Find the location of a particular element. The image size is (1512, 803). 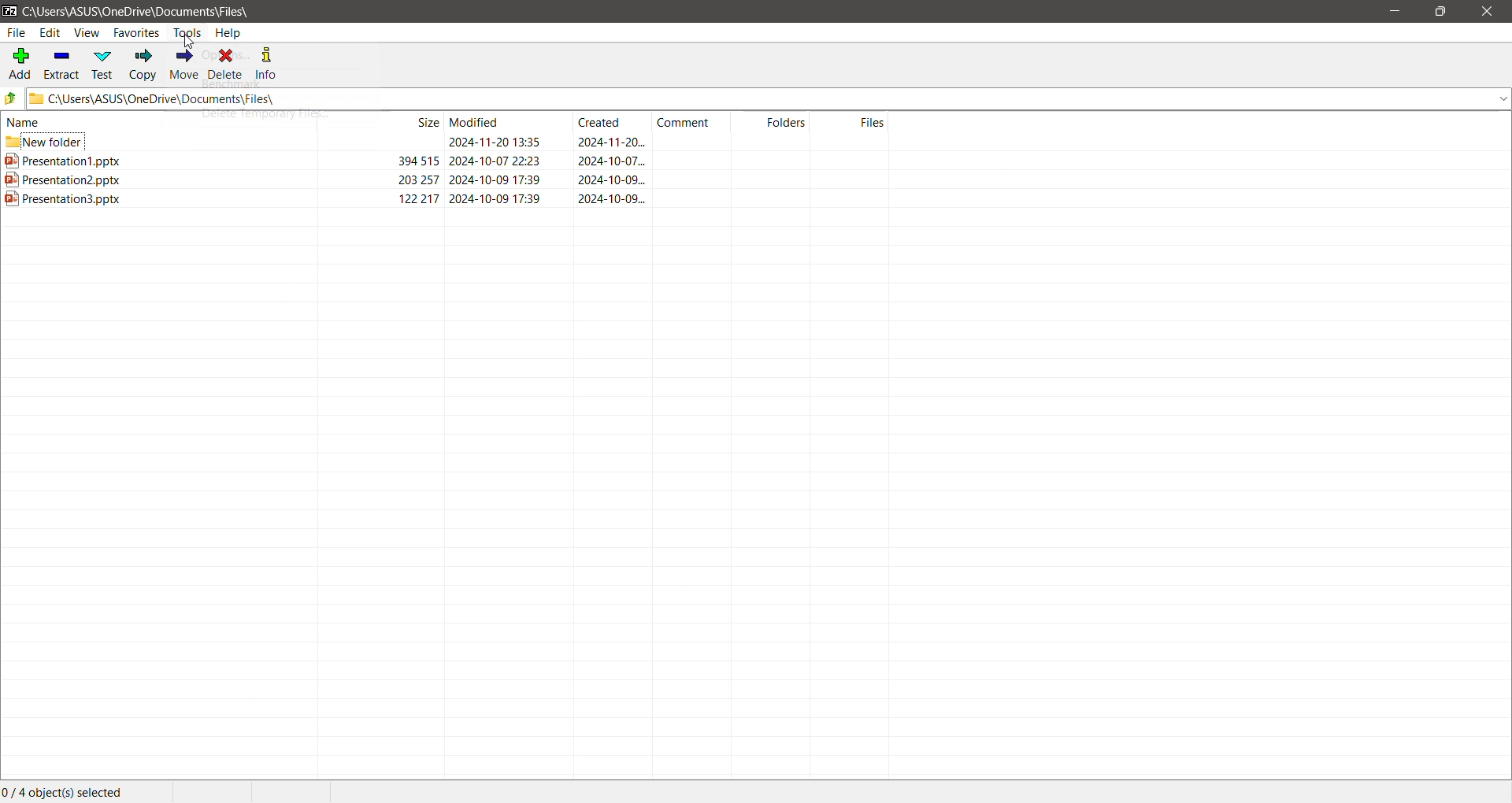

Copy is located at coordinates (144, 65).